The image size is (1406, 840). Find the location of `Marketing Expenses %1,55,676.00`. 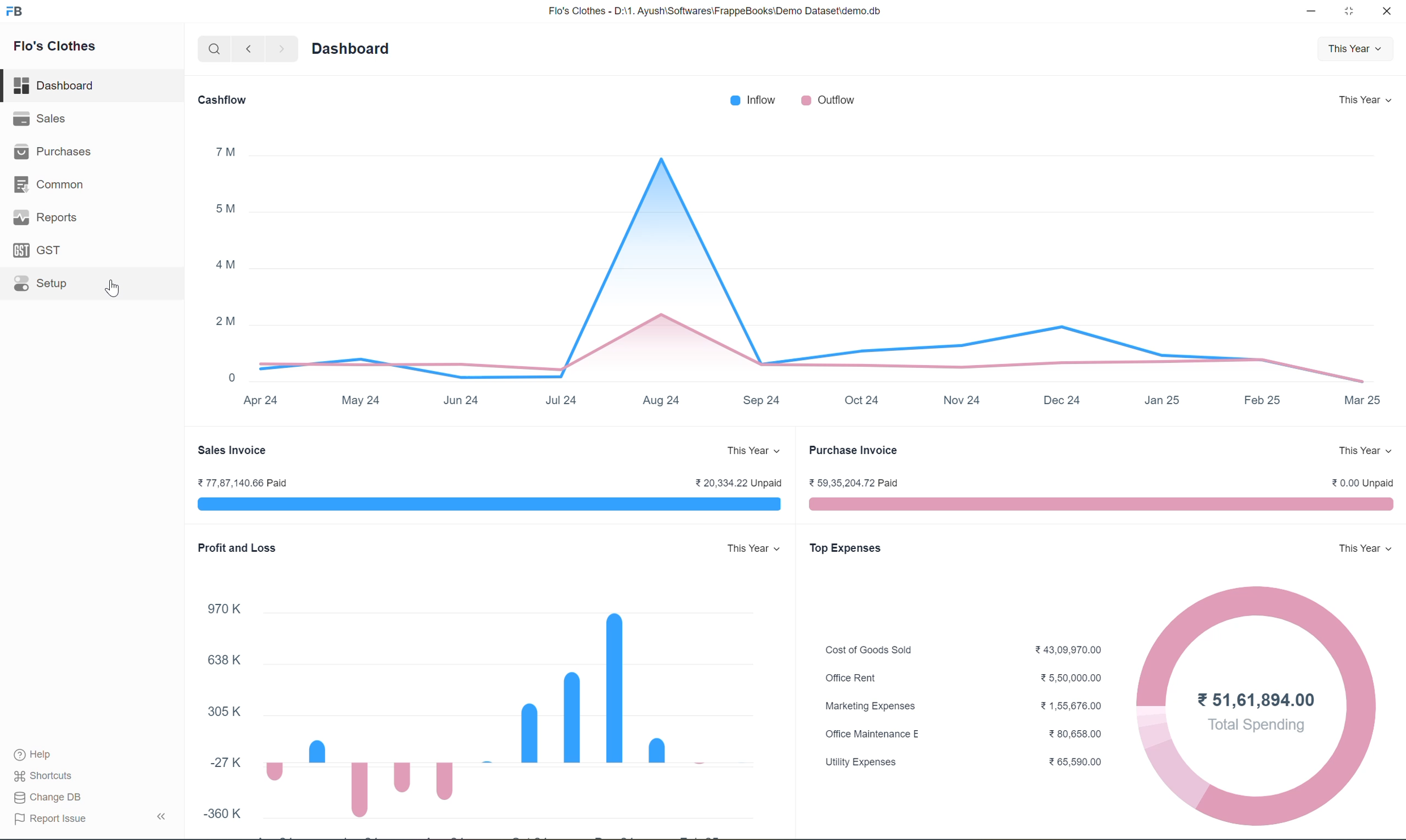

Marketing Expenses %1,55,676.00 is located at coordinates (963, 705).